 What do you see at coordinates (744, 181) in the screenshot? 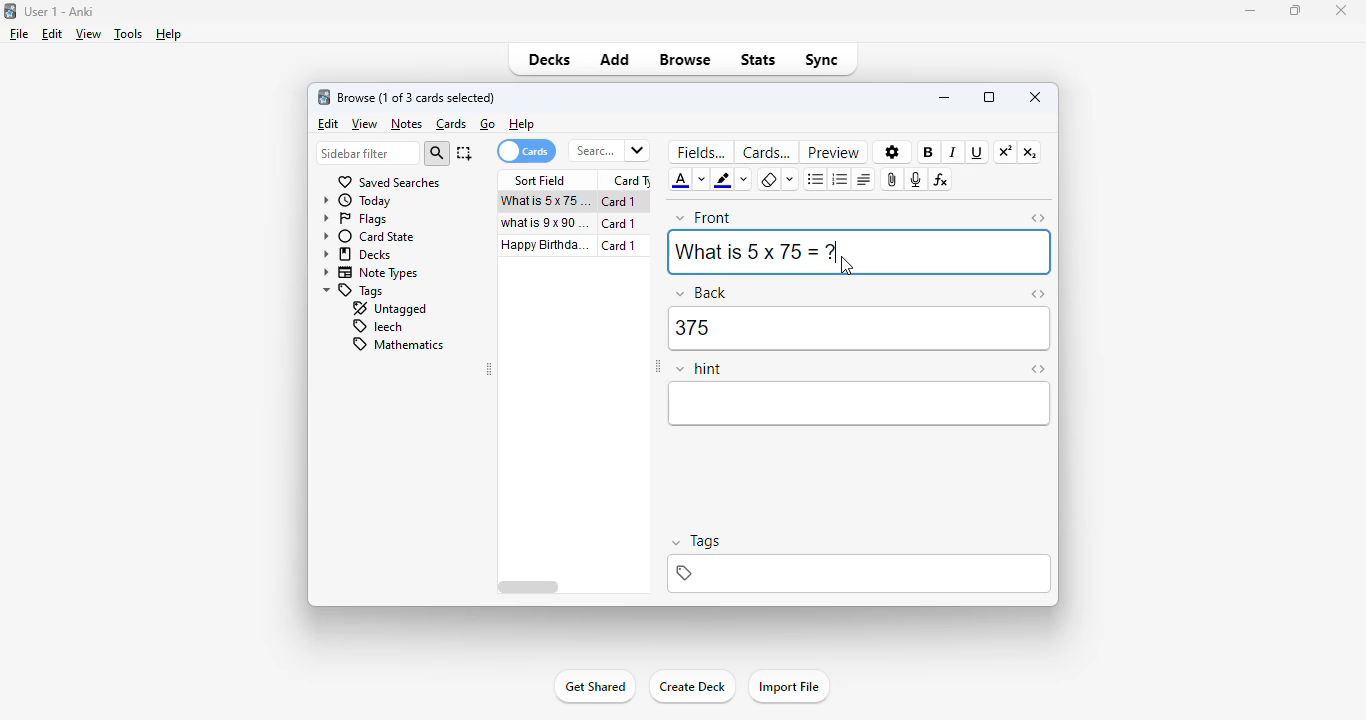
I see `change color` at bounding box center [744, 181].